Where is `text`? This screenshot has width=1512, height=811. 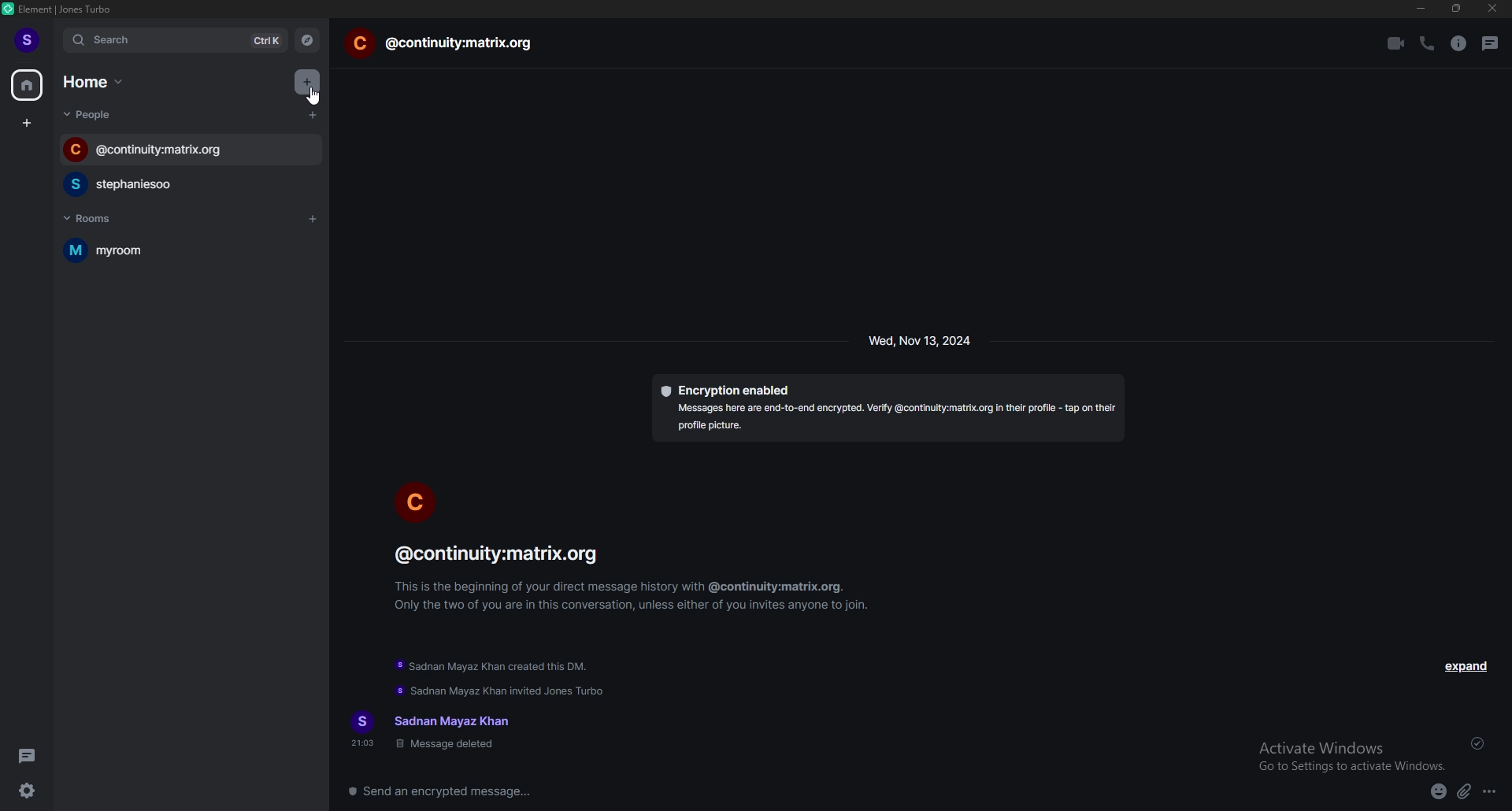
text is located at coordinates (435, 731).